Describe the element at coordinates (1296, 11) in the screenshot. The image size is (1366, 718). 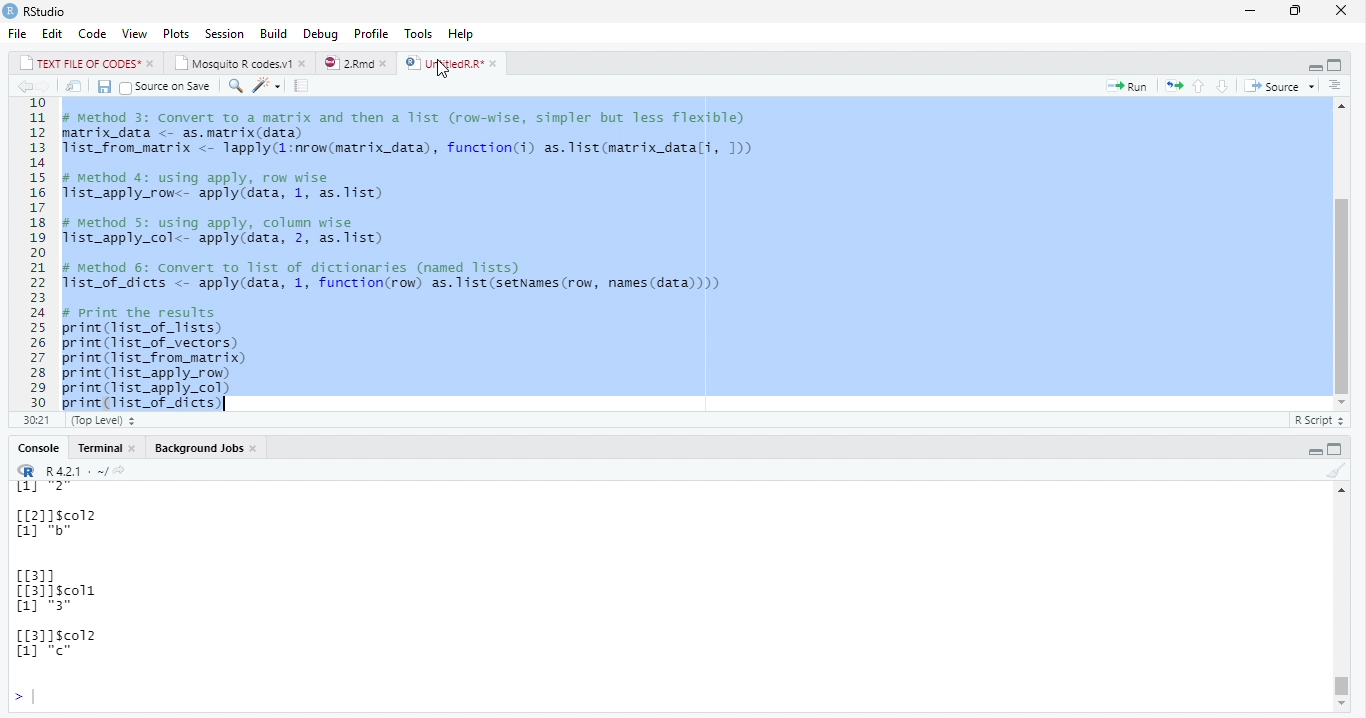
I see `Maximize` at that location.